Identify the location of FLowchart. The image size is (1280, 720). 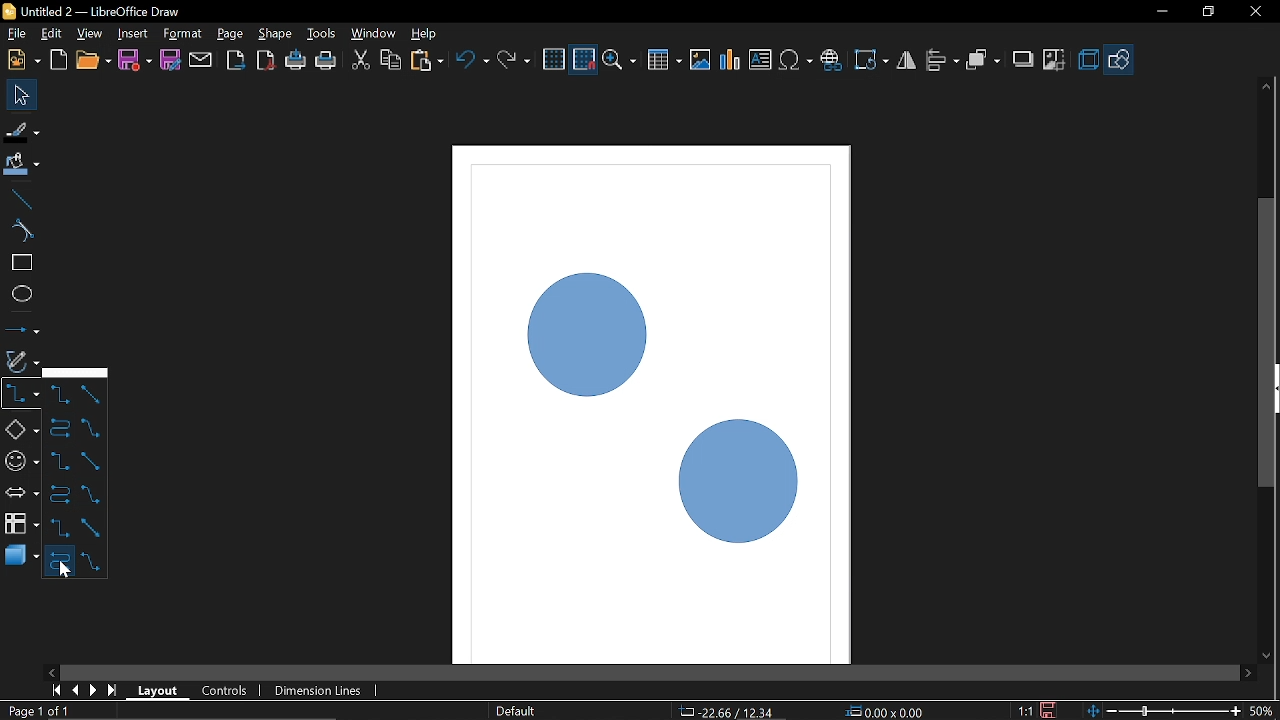
(22, 525).